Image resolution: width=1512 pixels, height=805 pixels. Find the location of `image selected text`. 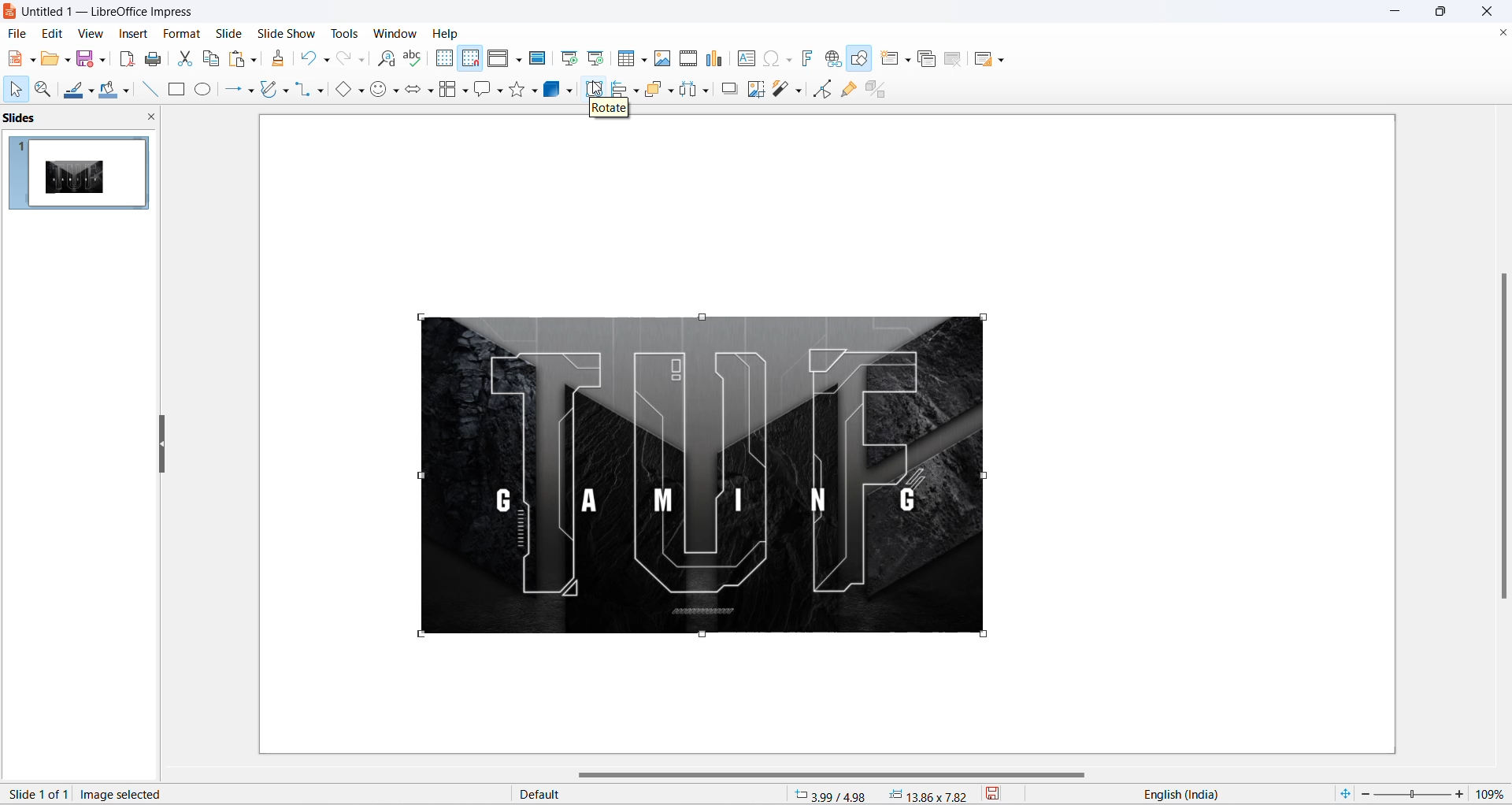

image selected text is located at coordinates (124, 793).